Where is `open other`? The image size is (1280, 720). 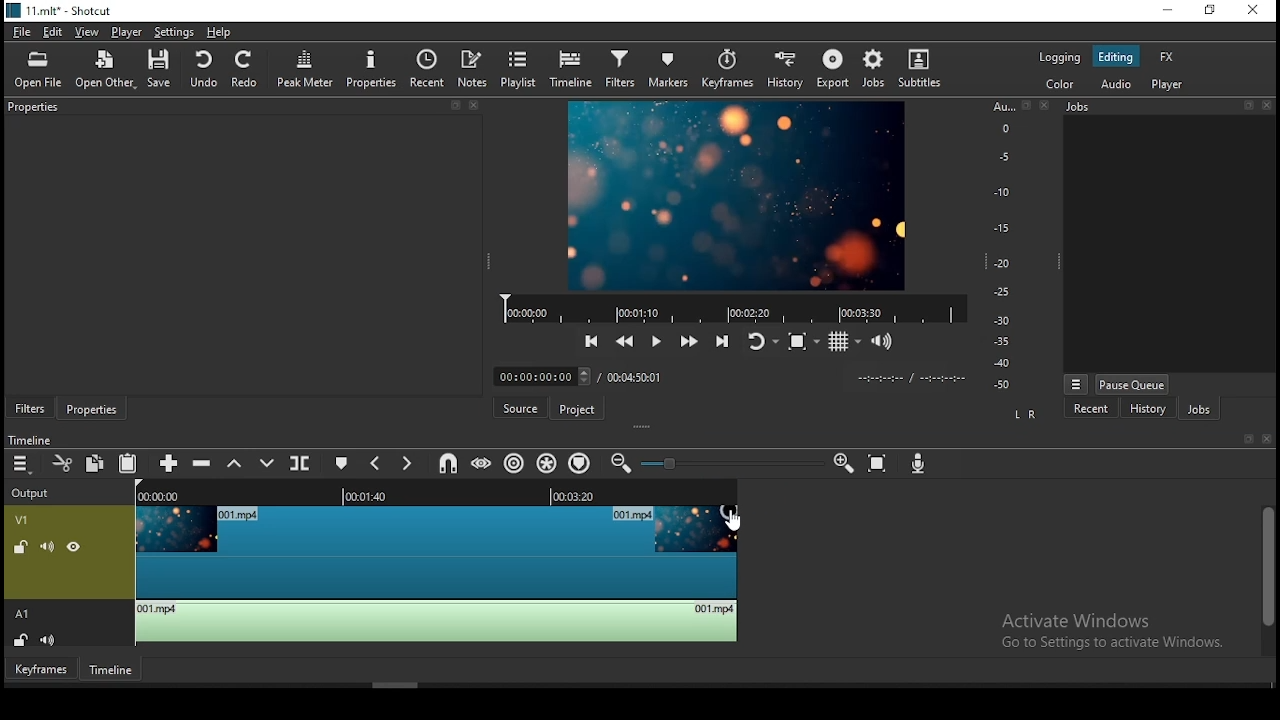
open other is located at coordinates (105, 68).